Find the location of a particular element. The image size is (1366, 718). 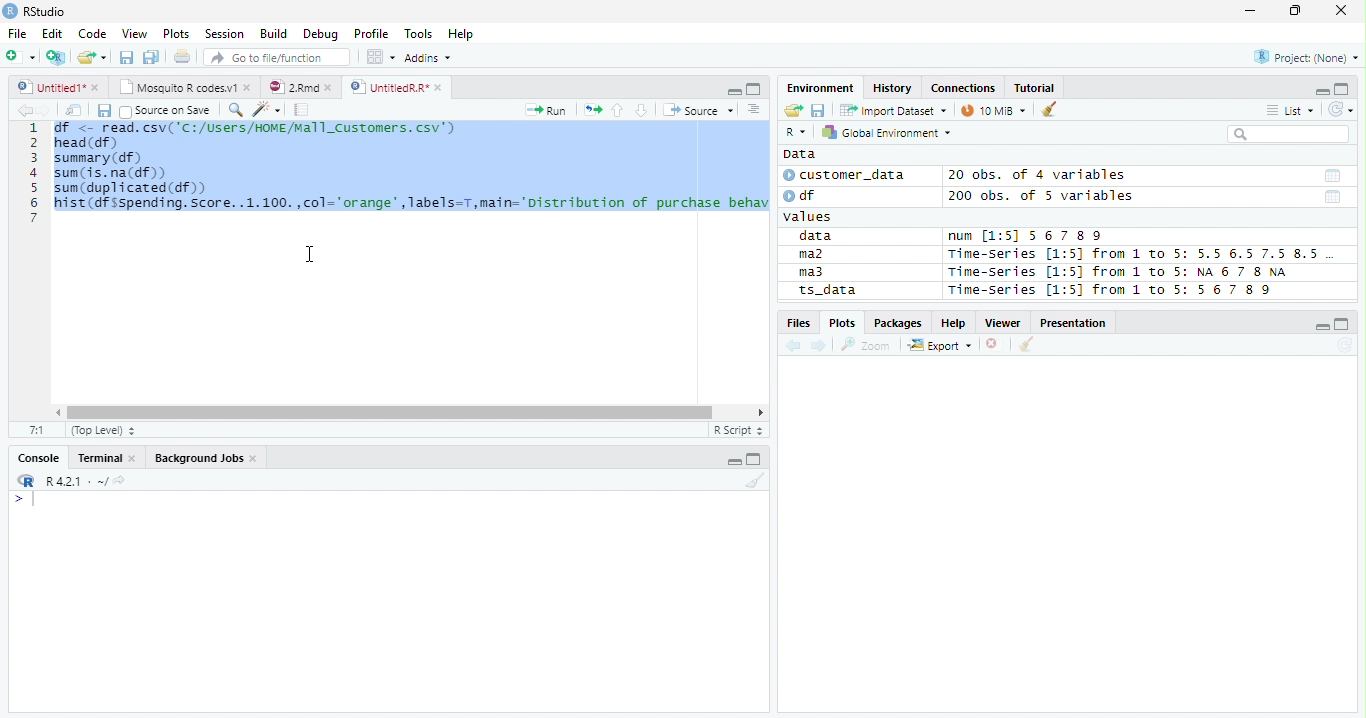

Help is located at coordinates (463, 34).